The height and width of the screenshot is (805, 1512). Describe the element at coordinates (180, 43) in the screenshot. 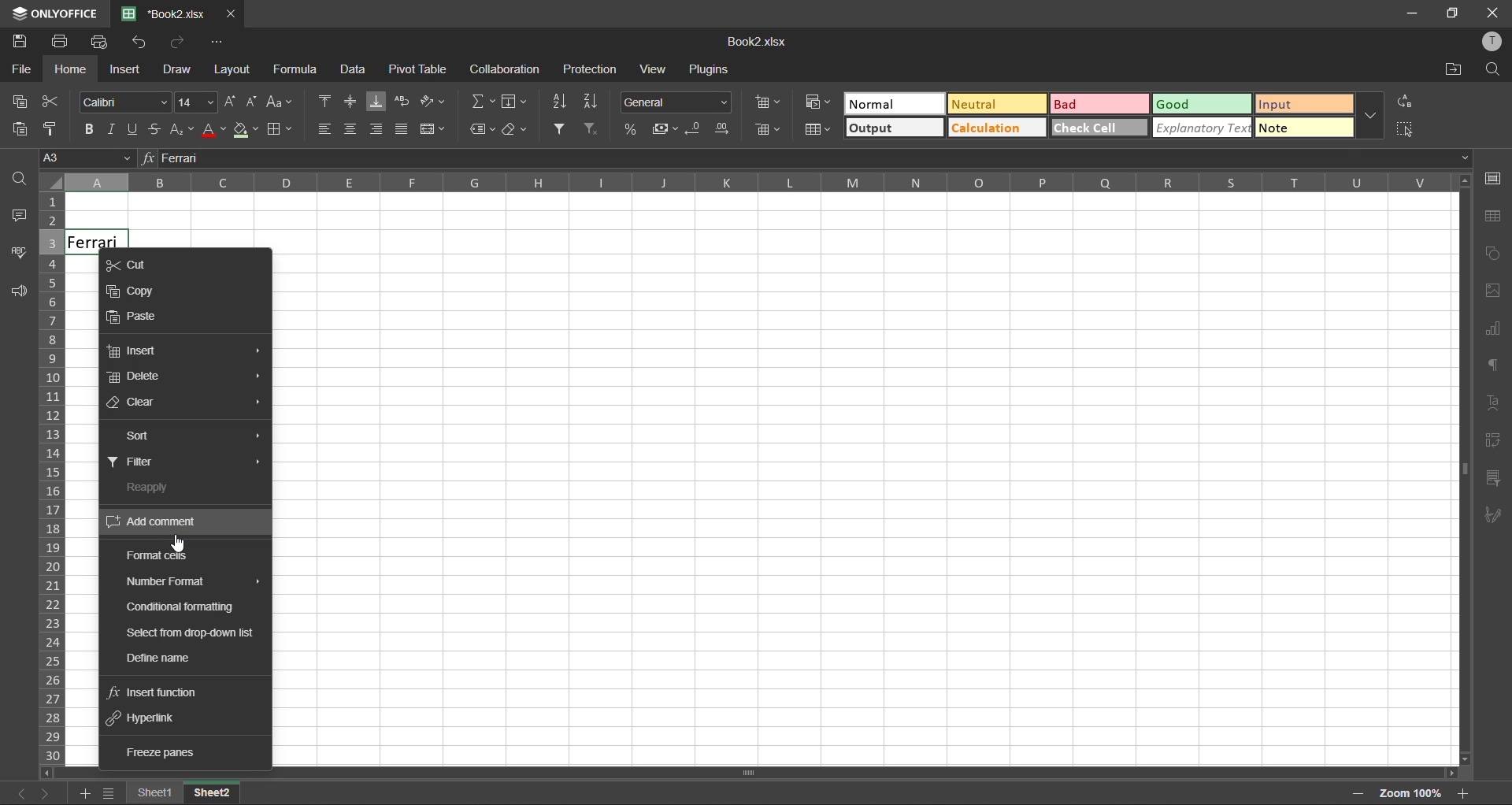

I see `redo` at that location.